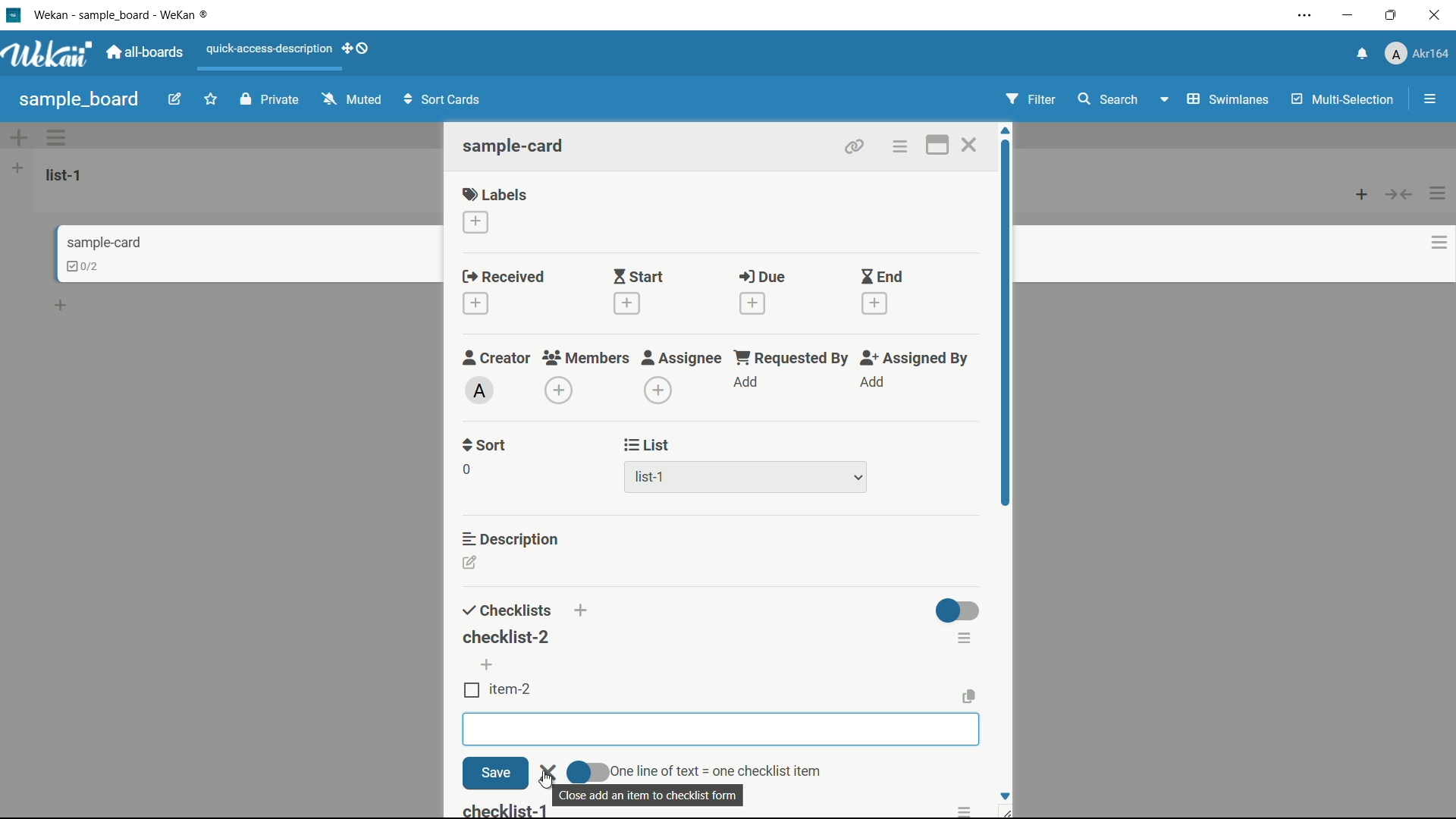 Image resolution: width=1456 pixels, height=819 pixels. Describe the element at coordinates (1106, 99) in the screenshot. I see `search` at that location.